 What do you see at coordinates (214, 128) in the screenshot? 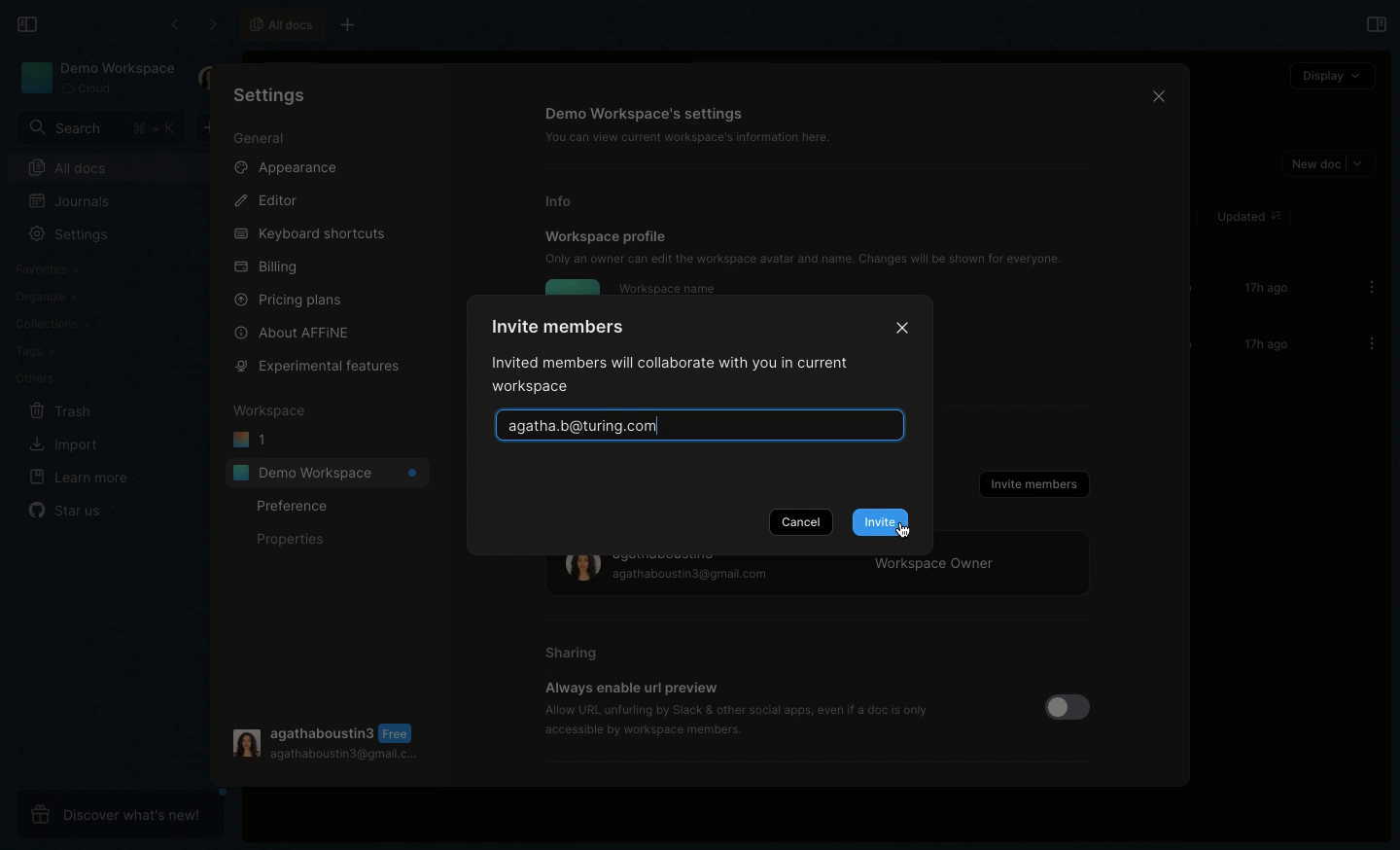
I see `New doc` at bounding box center [214, 128].